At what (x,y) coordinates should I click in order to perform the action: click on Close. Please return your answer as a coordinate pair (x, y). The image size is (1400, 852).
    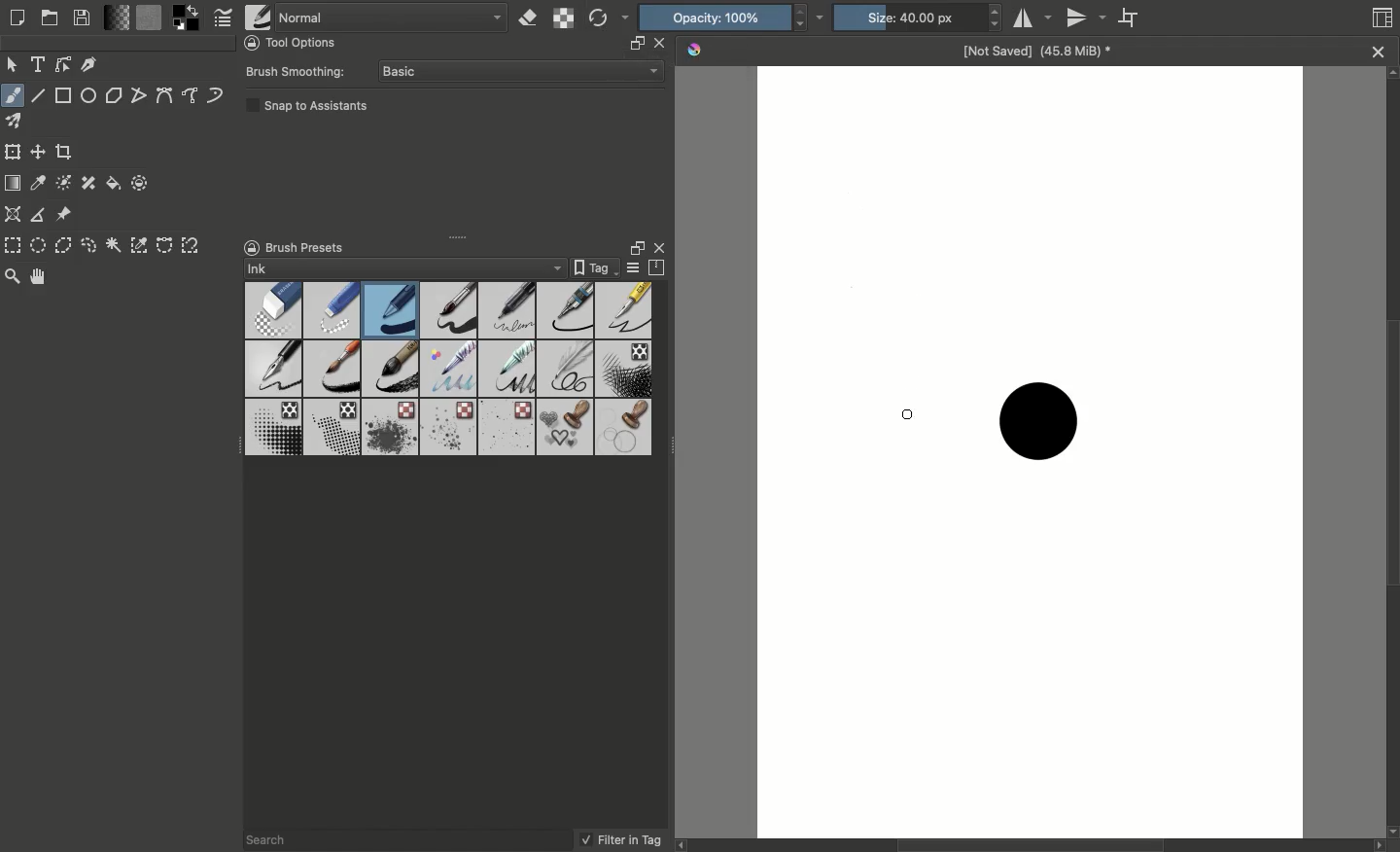
    Looking at the image, I should click on (664, 247).